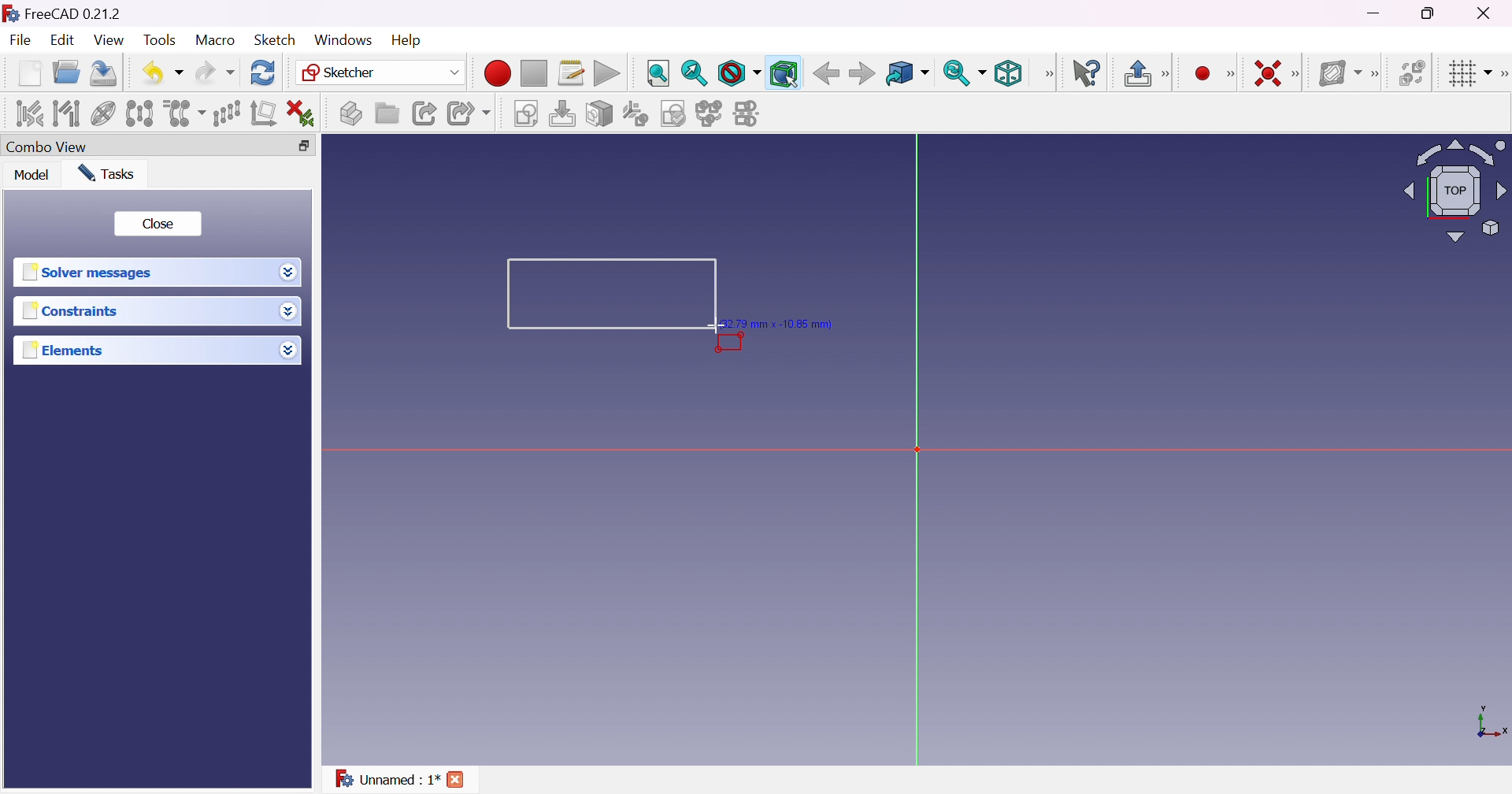  Describe the element at coordinates (1270, 73) in the screenshot. I see `Constrain coincident` at that location.